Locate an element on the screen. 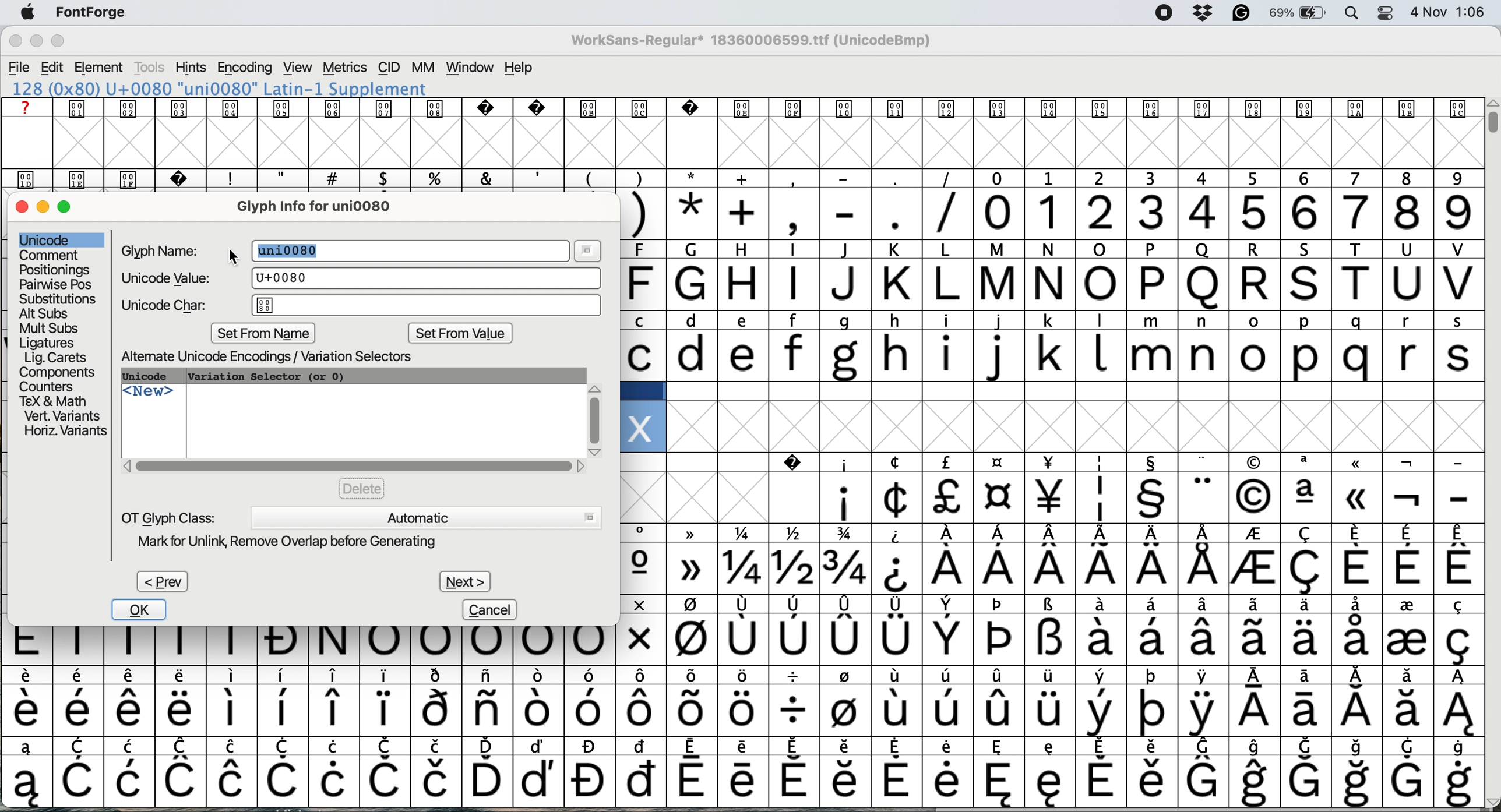 Image resolution: width=1501 pixels, height=812 pixels. capital letters a to v is located at coordinates (1041, 288).